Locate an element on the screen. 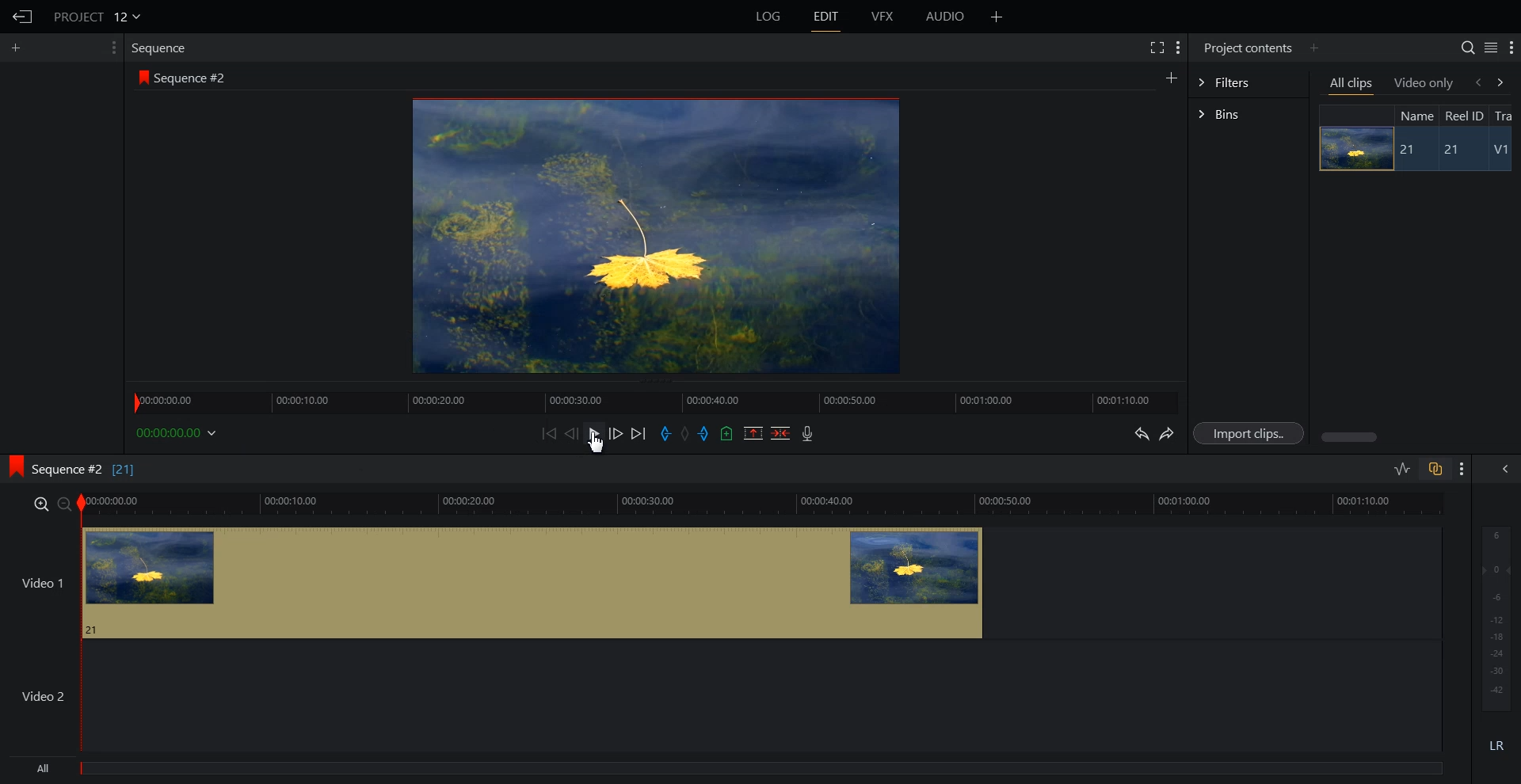 This screenshot has width=1521, height=784. EDIT is located at coordinates (827, 17).